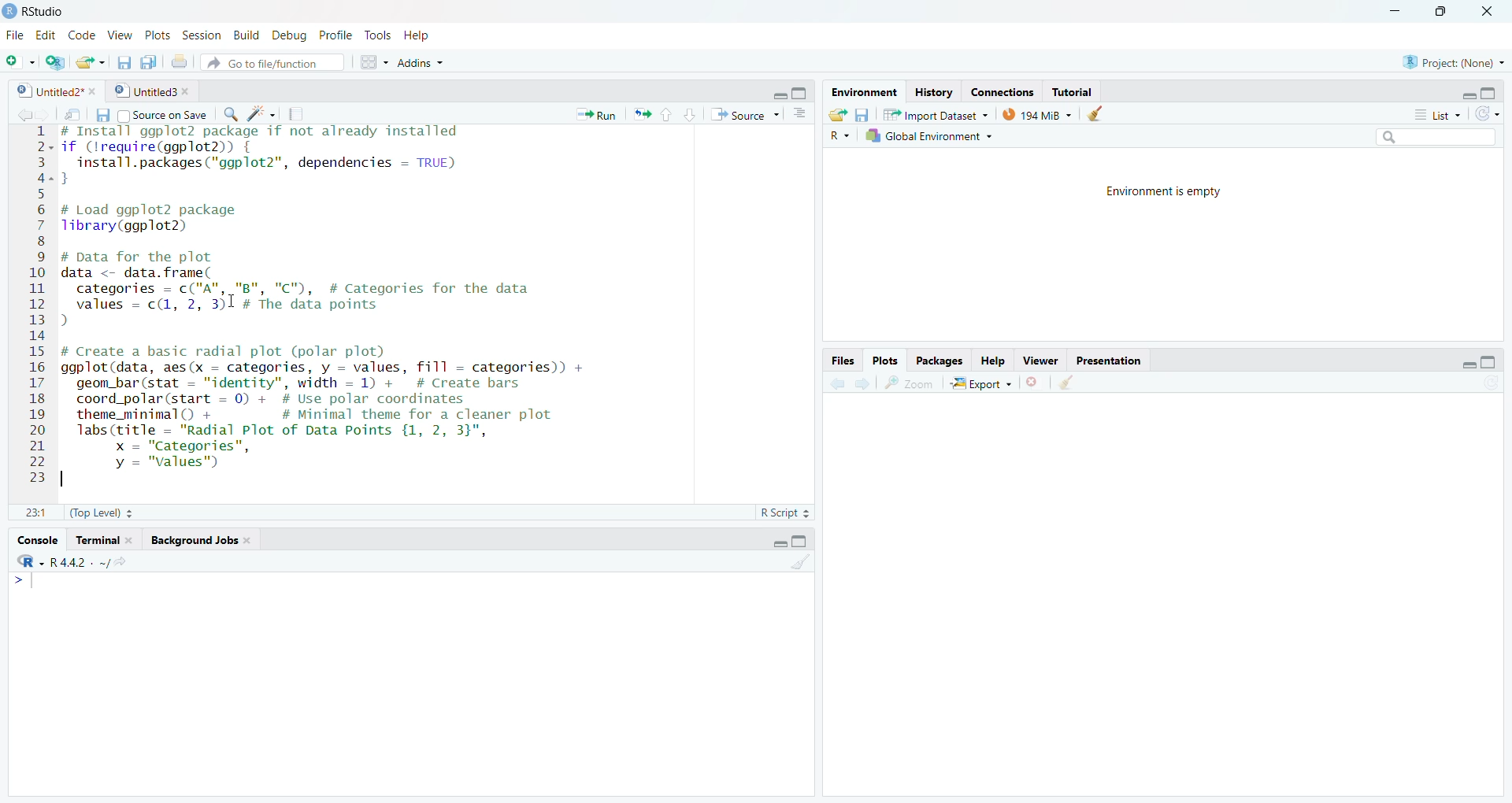  Describe the element at coordinates (26, 563) in the screenshot. I see `R` at that location.